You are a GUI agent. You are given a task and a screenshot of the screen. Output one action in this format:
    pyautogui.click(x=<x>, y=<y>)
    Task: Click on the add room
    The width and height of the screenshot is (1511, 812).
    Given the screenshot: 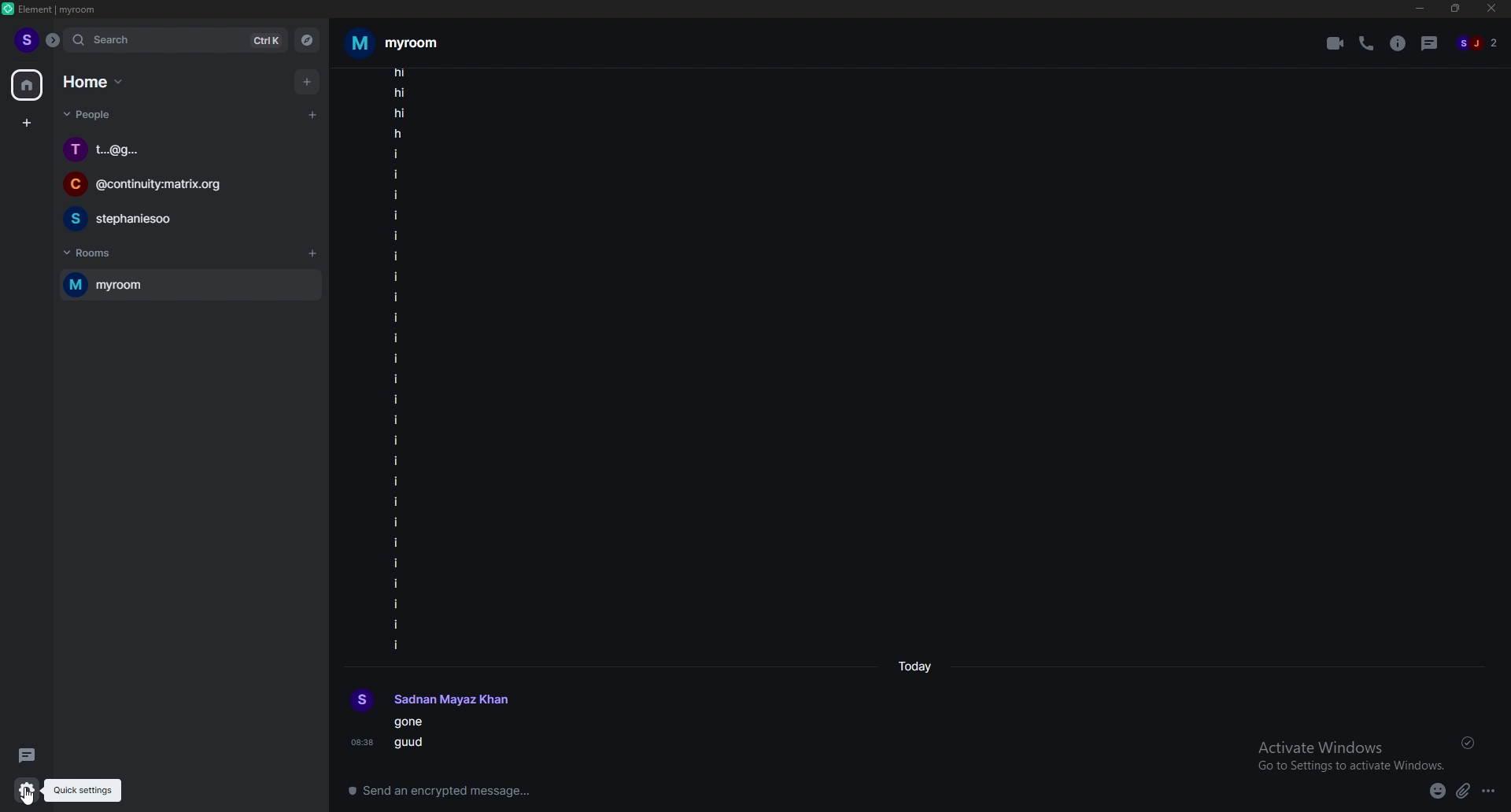 What is the action you would take?
    pyautogui.click(x=312, y=253)
    